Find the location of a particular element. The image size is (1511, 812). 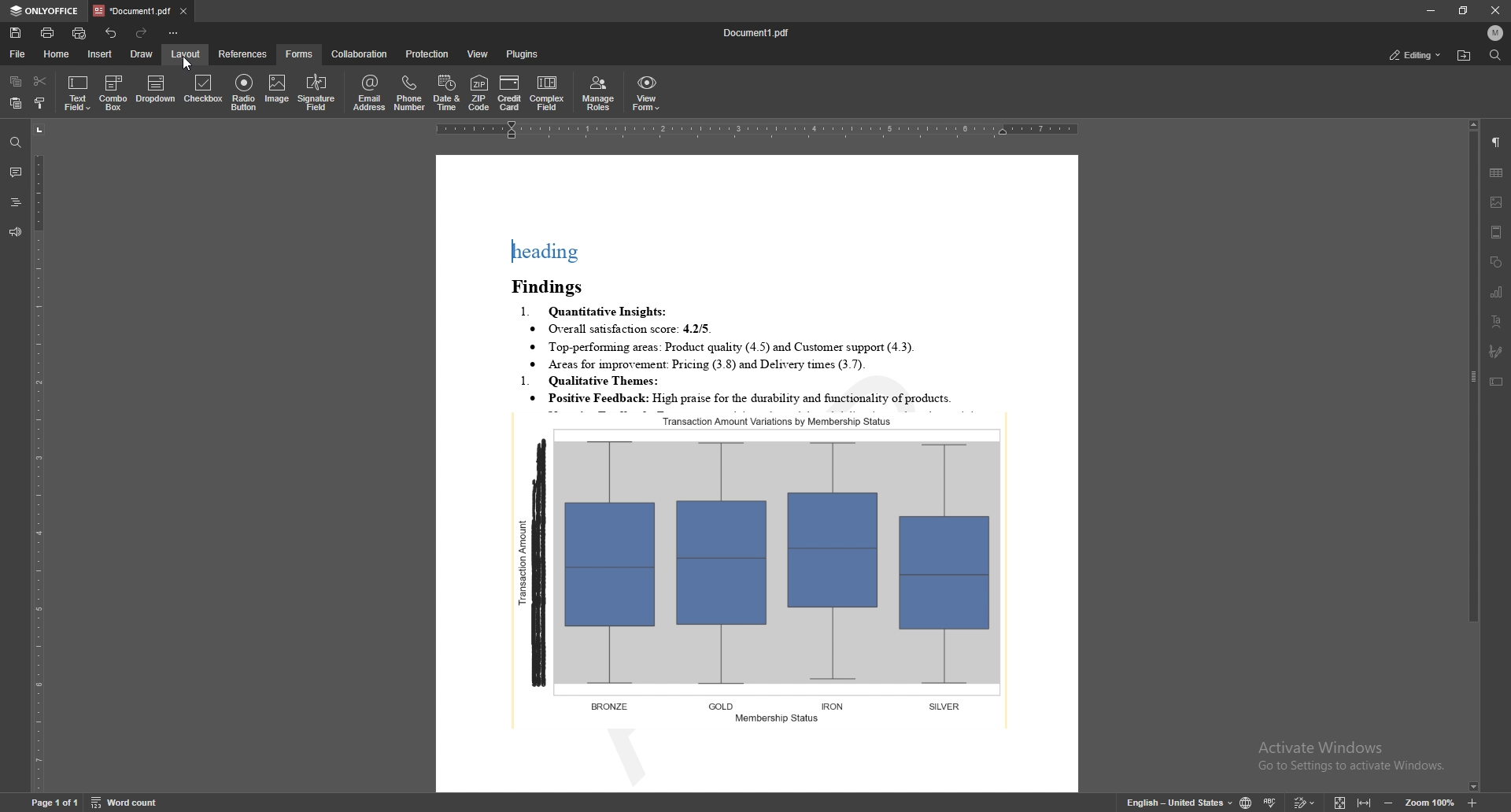

paragraph is located at coordinates (1497, 142).